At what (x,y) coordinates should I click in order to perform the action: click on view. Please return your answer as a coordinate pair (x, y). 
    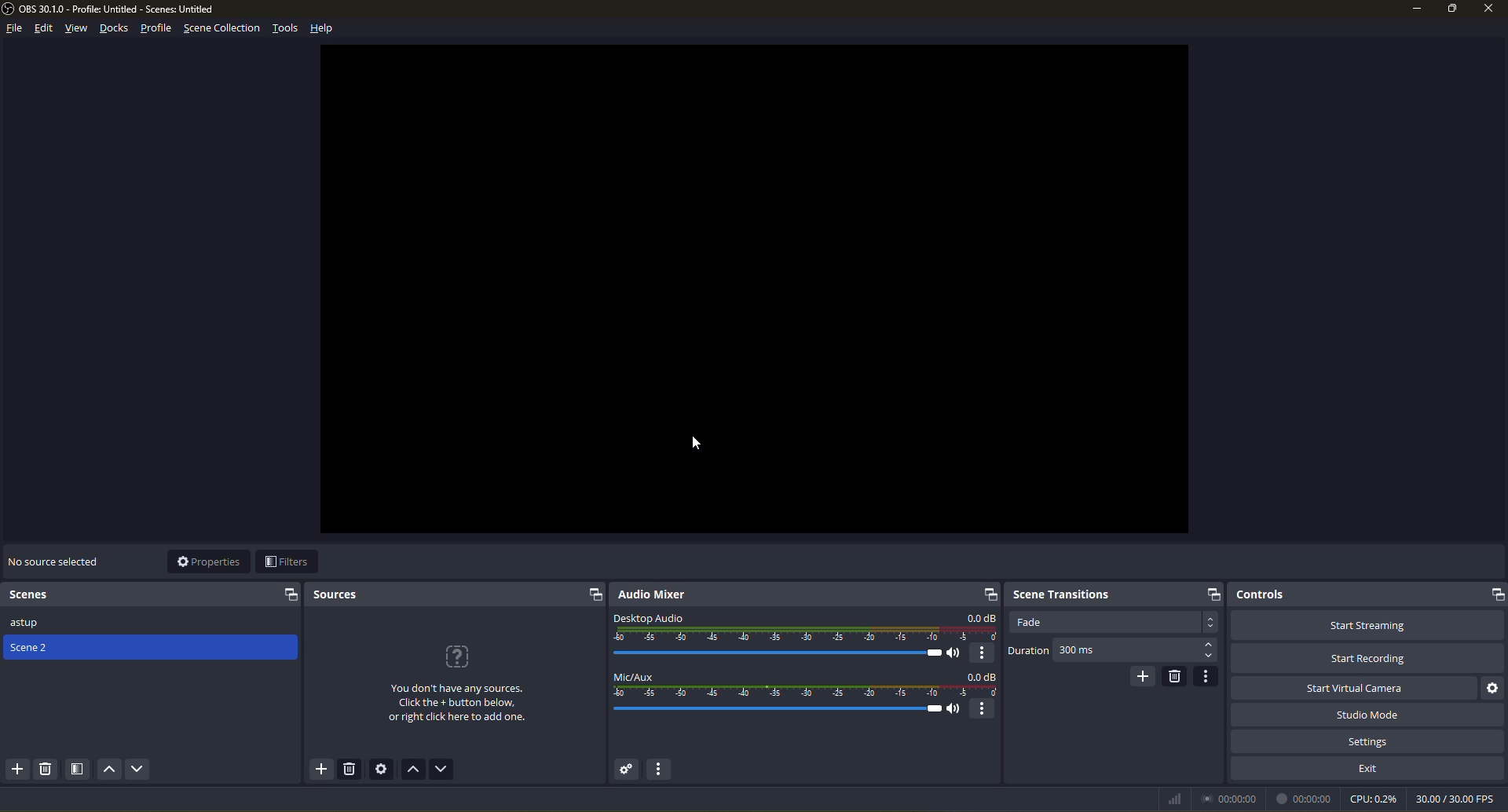
    Looking at the image, I should click on (77, 27).